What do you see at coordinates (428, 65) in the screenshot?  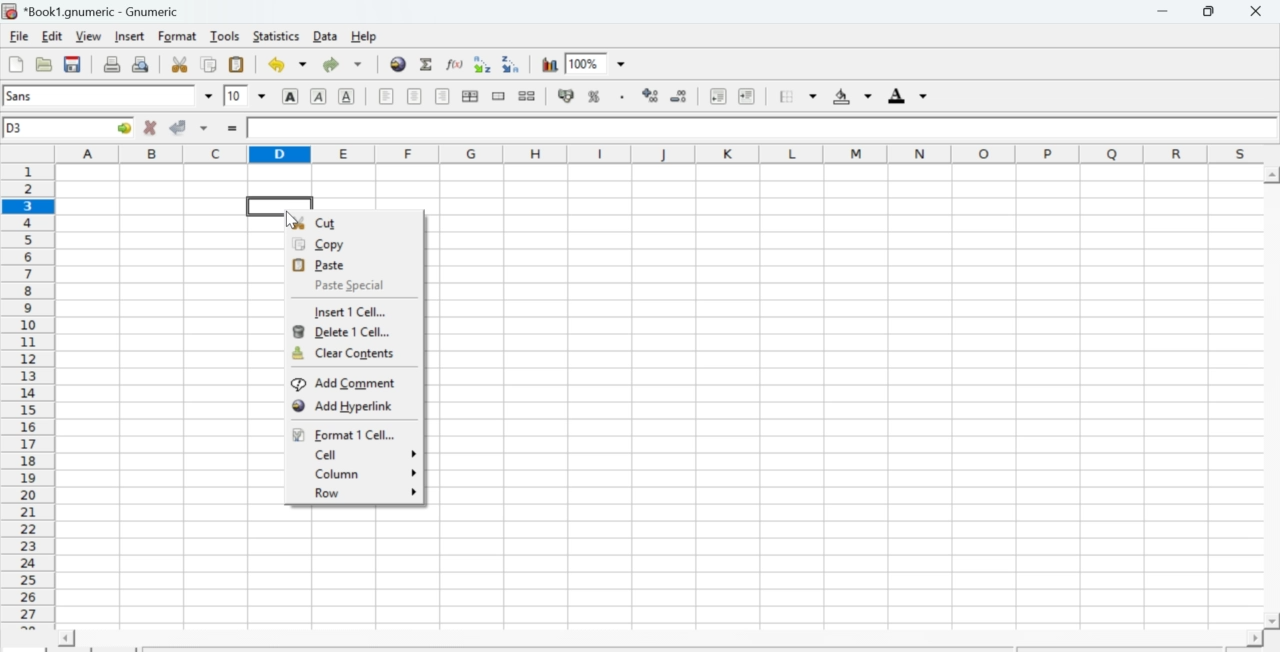 I see `Sum` at bounding box center [428, 65].